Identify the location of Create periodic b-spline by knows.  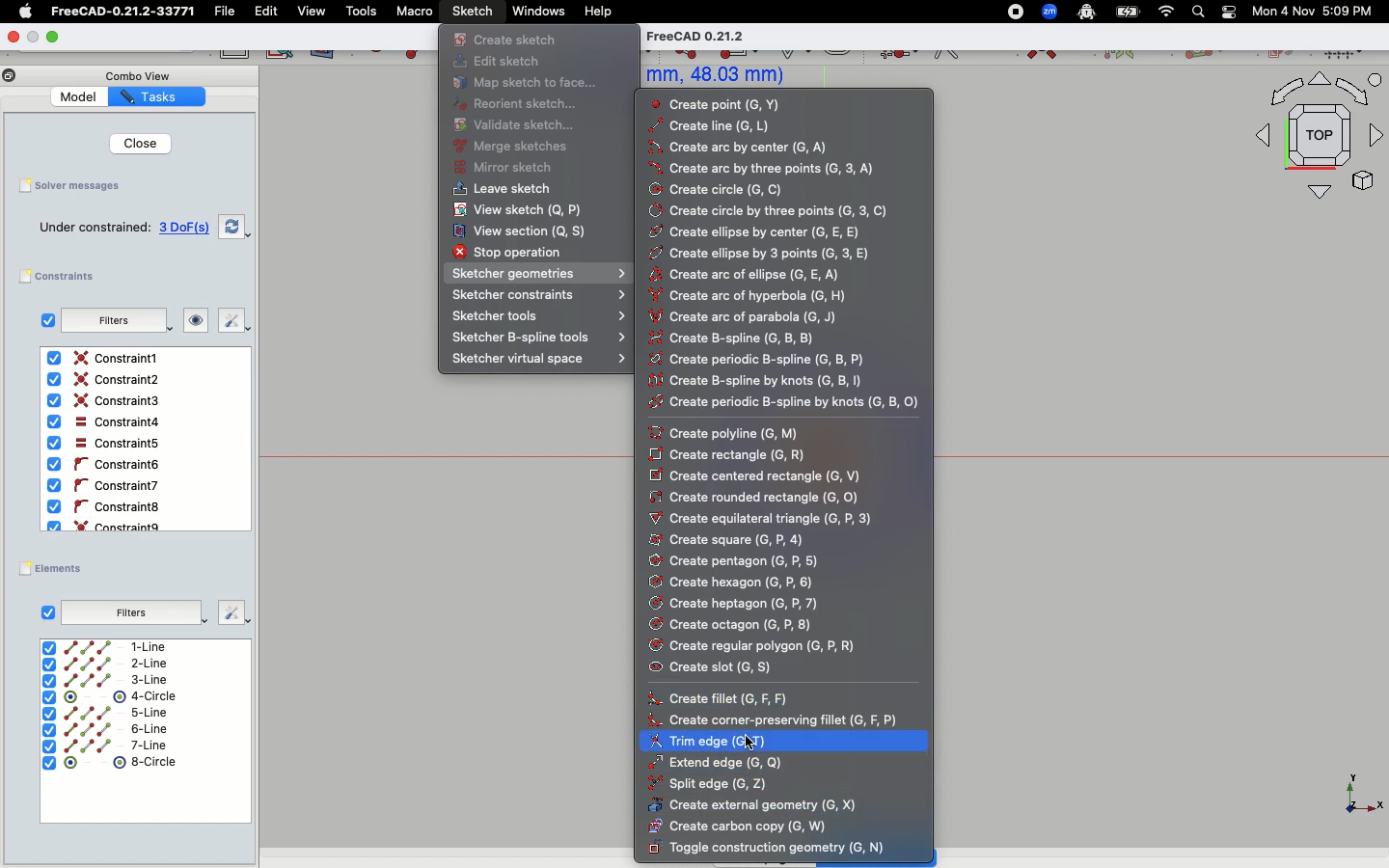
(787, 402).